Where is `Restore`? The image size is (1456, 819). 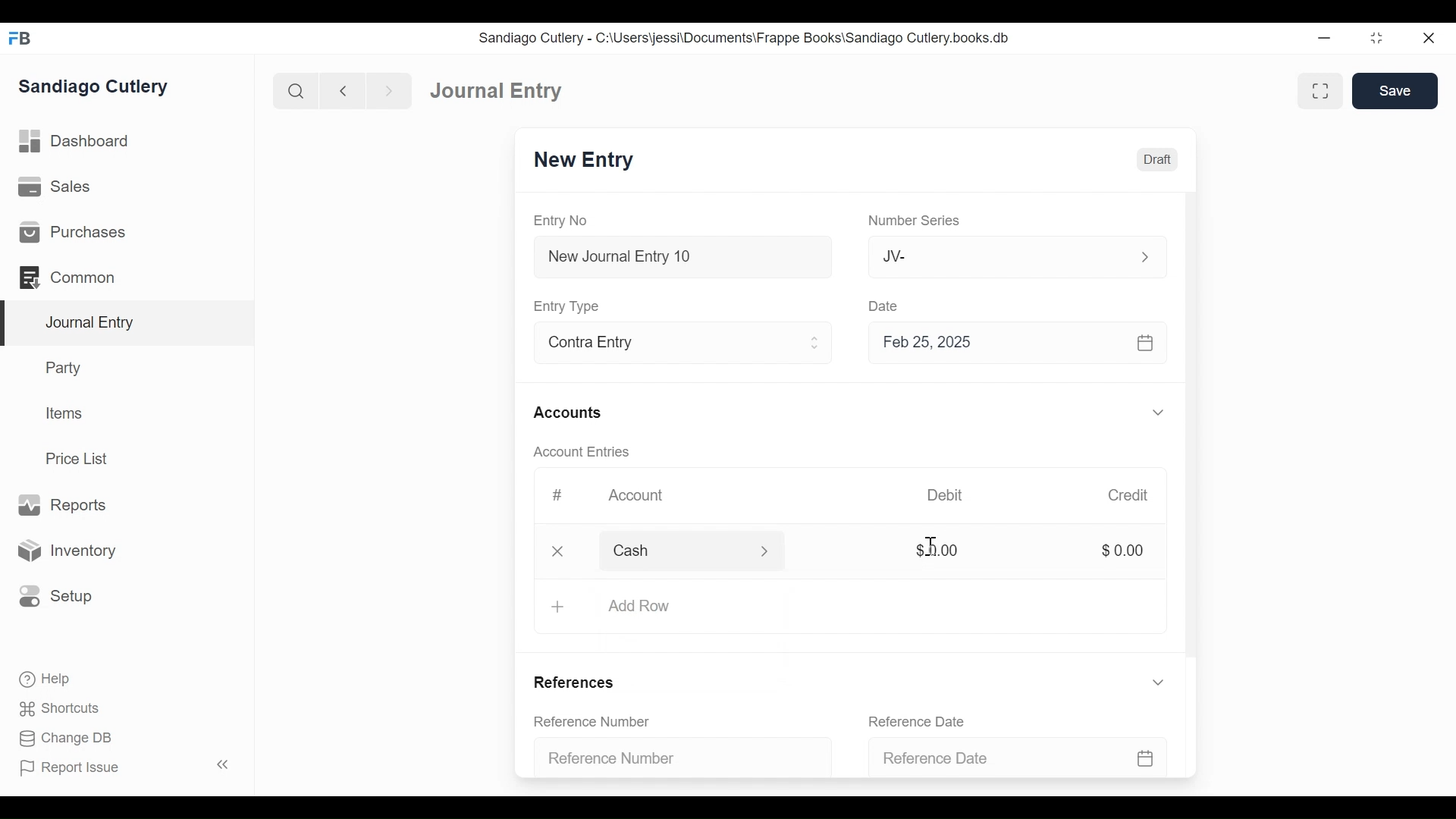 Restore is located at coordinates (1376, 39).